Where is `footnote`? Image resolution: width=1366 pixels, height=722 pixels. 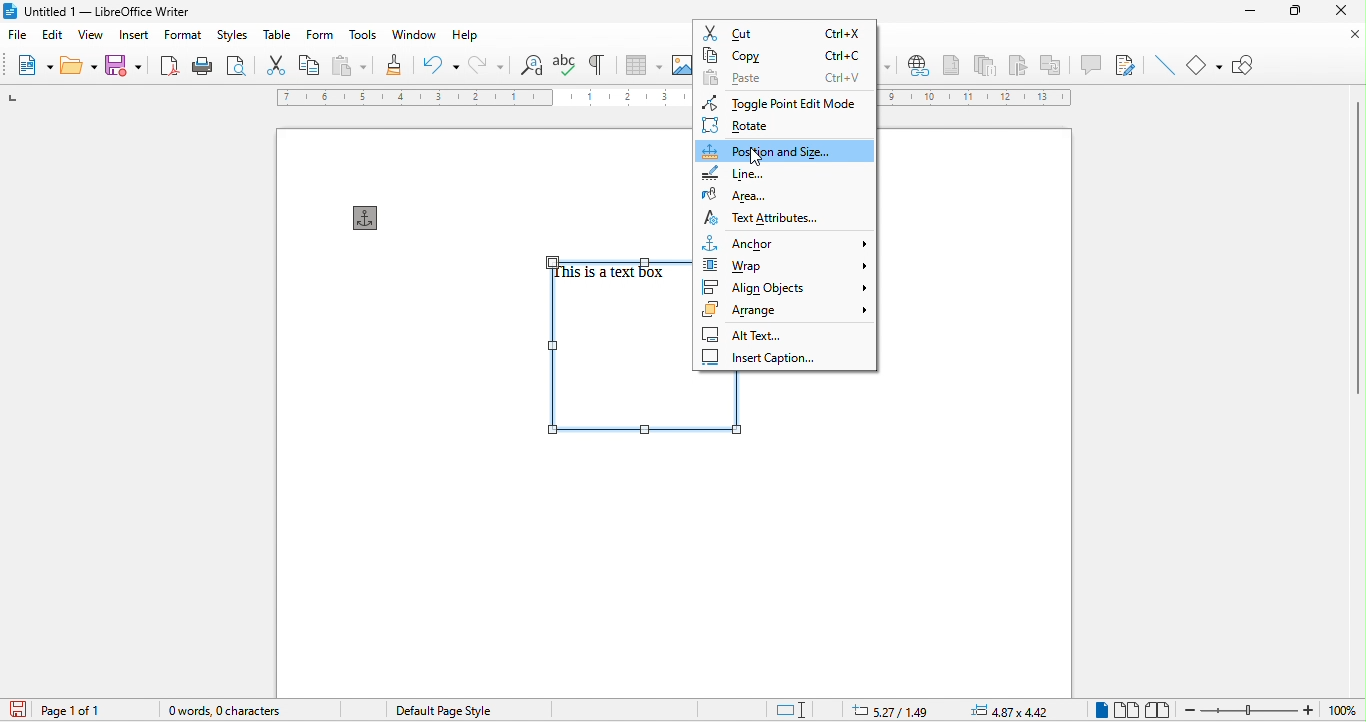
footnote is located at coordinates (950, 64).